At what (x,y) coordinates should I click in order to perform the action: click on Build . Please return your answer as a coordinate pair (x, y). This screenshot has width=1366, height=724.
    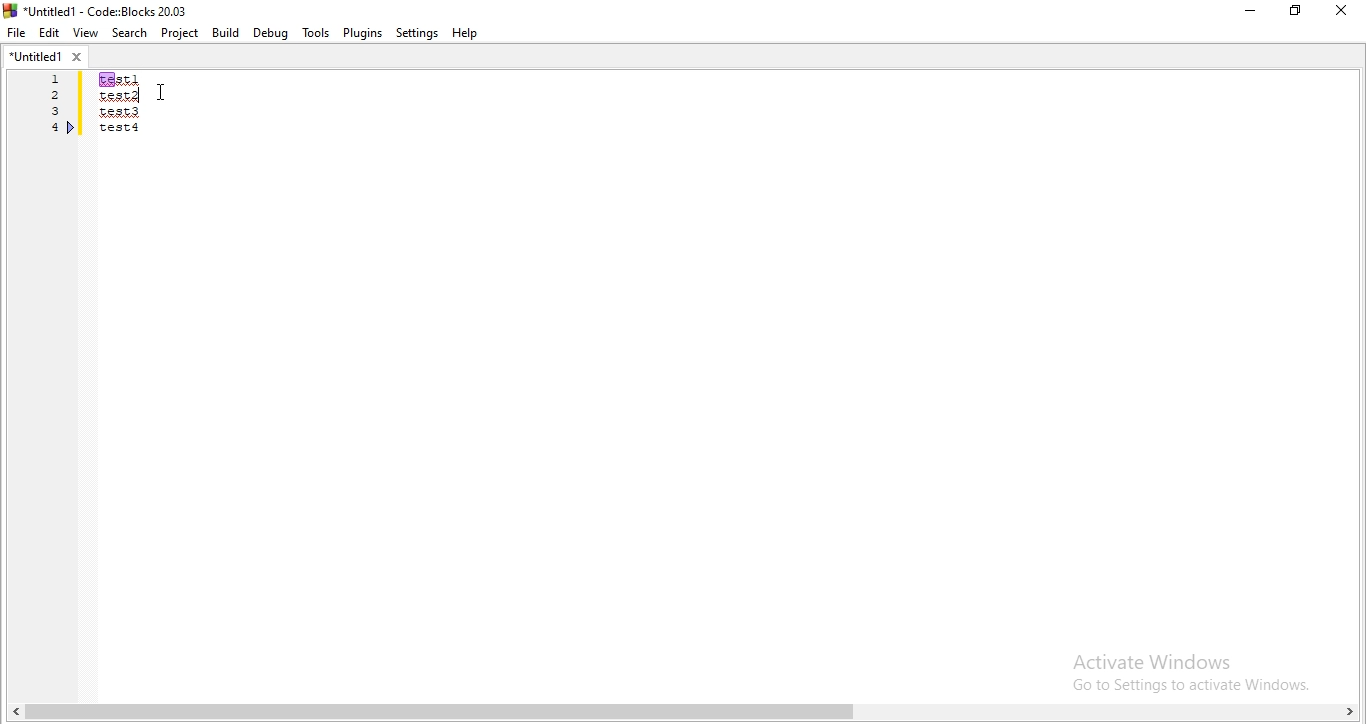
    Looking at the image, I should click on (226, 32).